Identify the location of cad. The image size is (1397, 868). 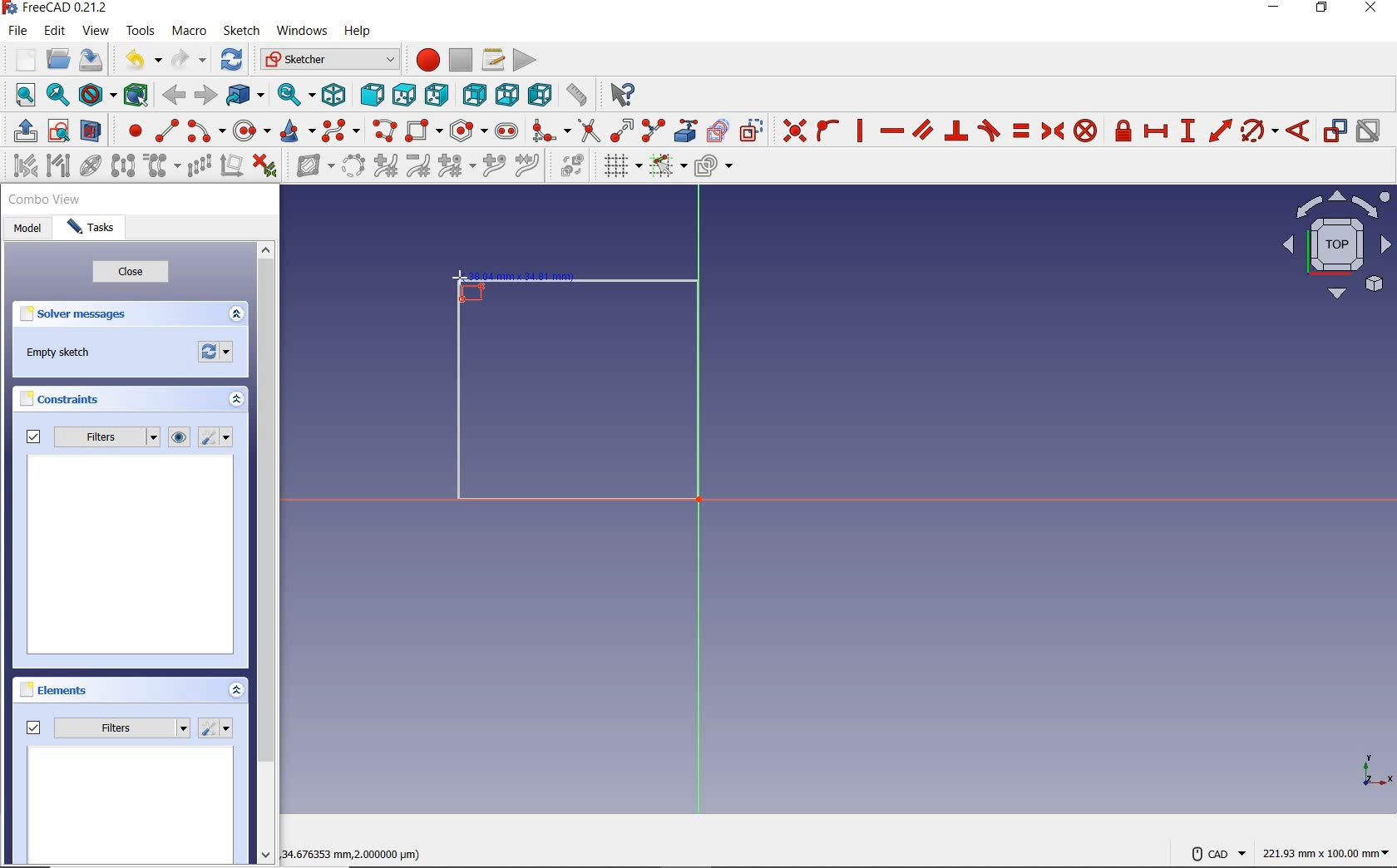
(1218, 848).